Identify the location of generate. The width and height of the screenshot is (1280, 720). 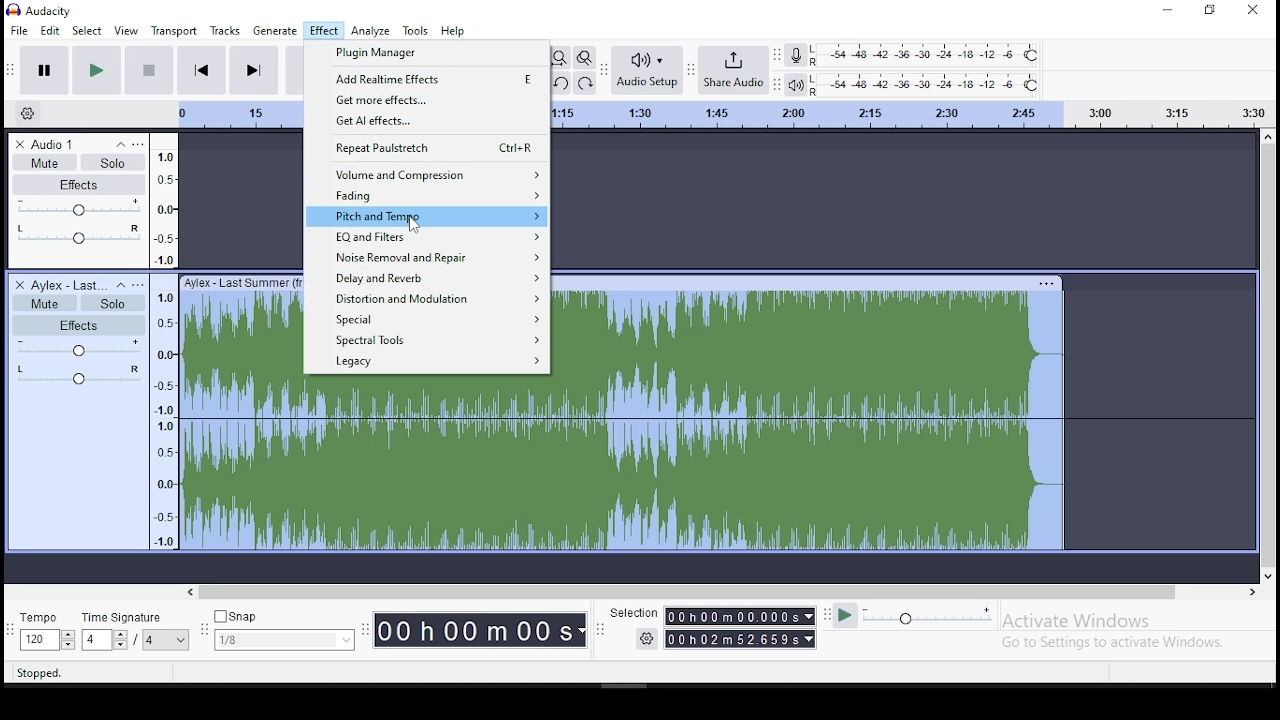
(276, 32).